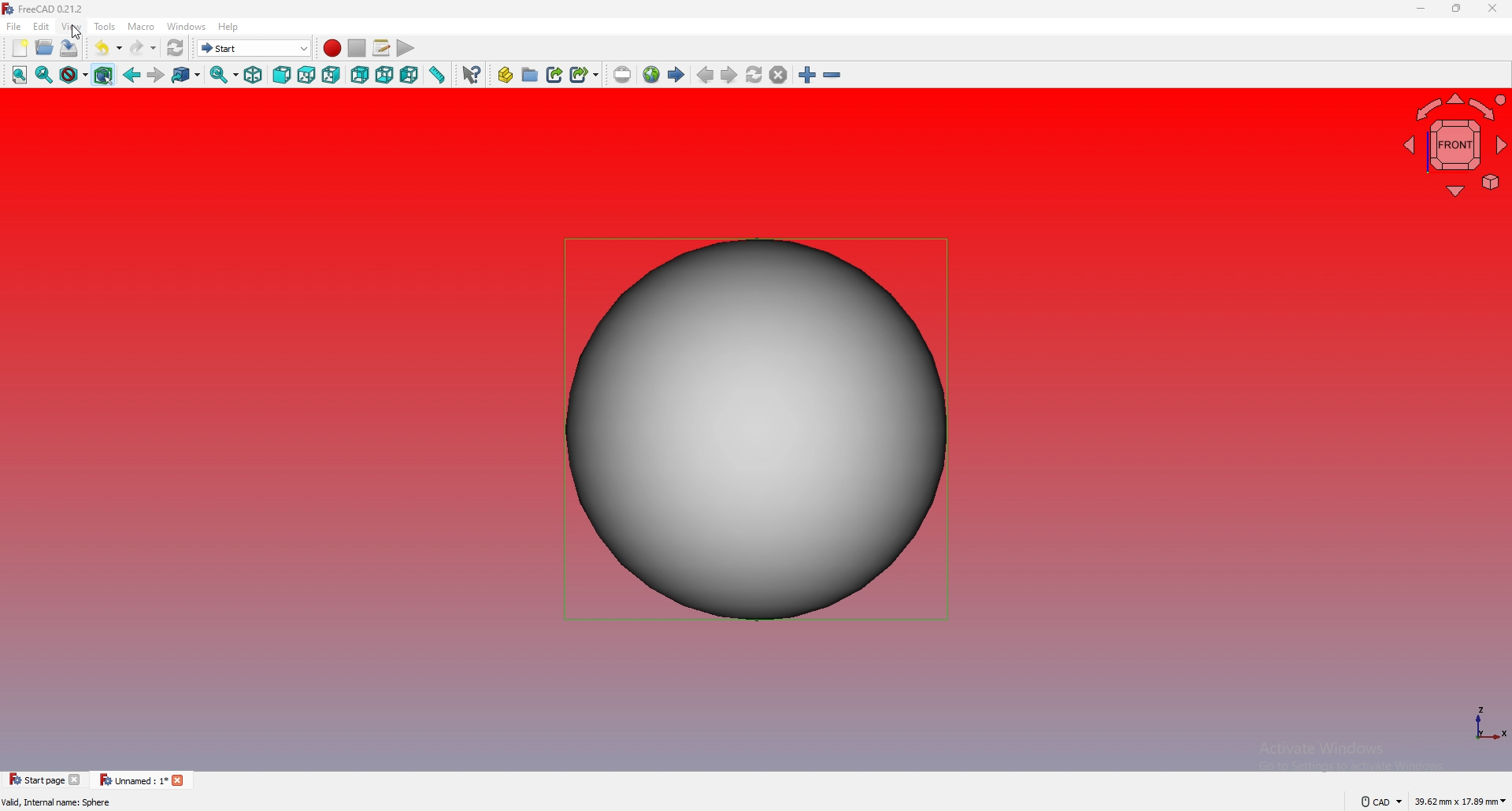 The width and height of the screenshot is (1512, 811). Describe the element at coordinates (1455, 145) in the screenshot. I see `navigating cube` at that location.